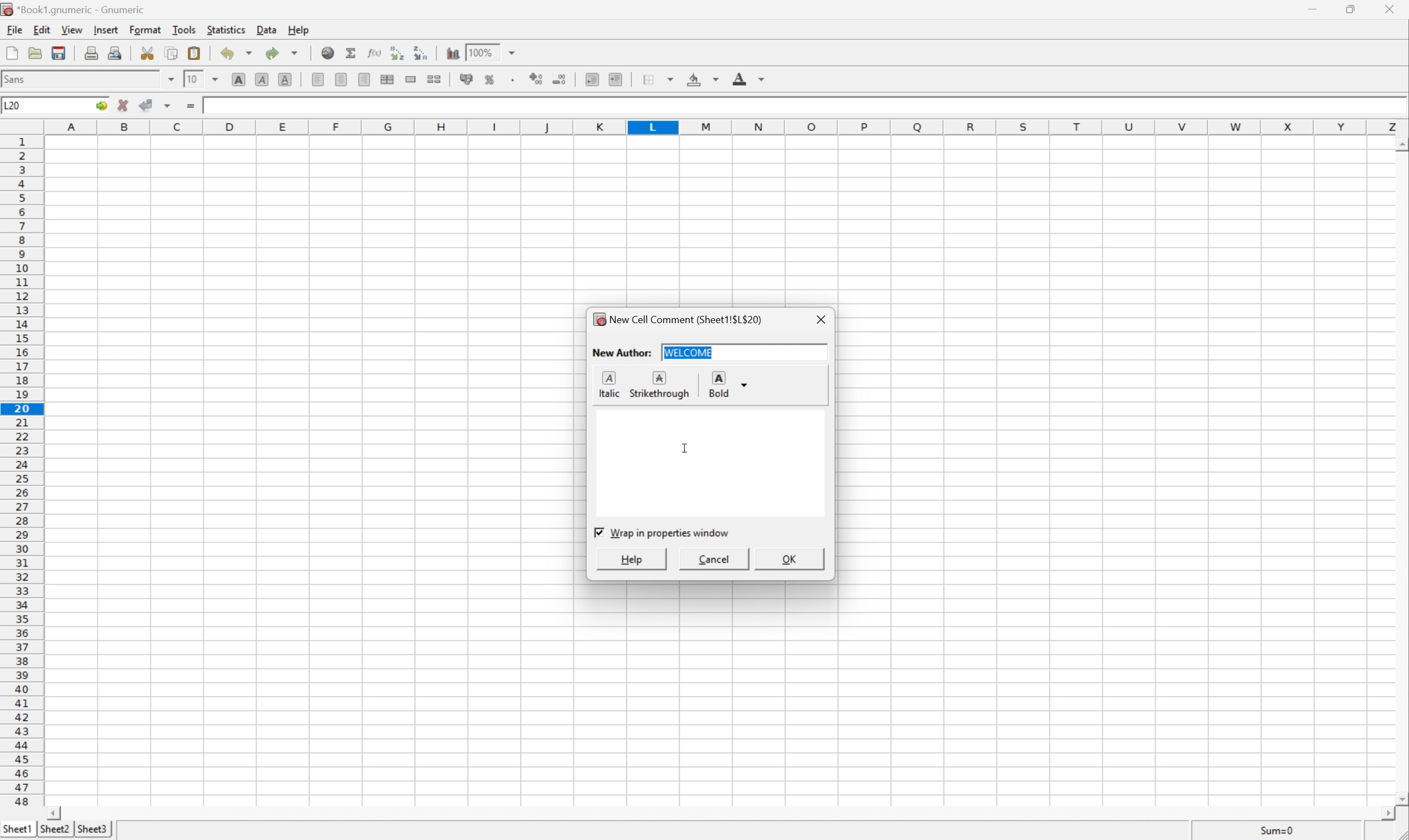 The height and width of the screenshot is (840, 1409). I want to click on Center Horizontally, so click(342, 80).